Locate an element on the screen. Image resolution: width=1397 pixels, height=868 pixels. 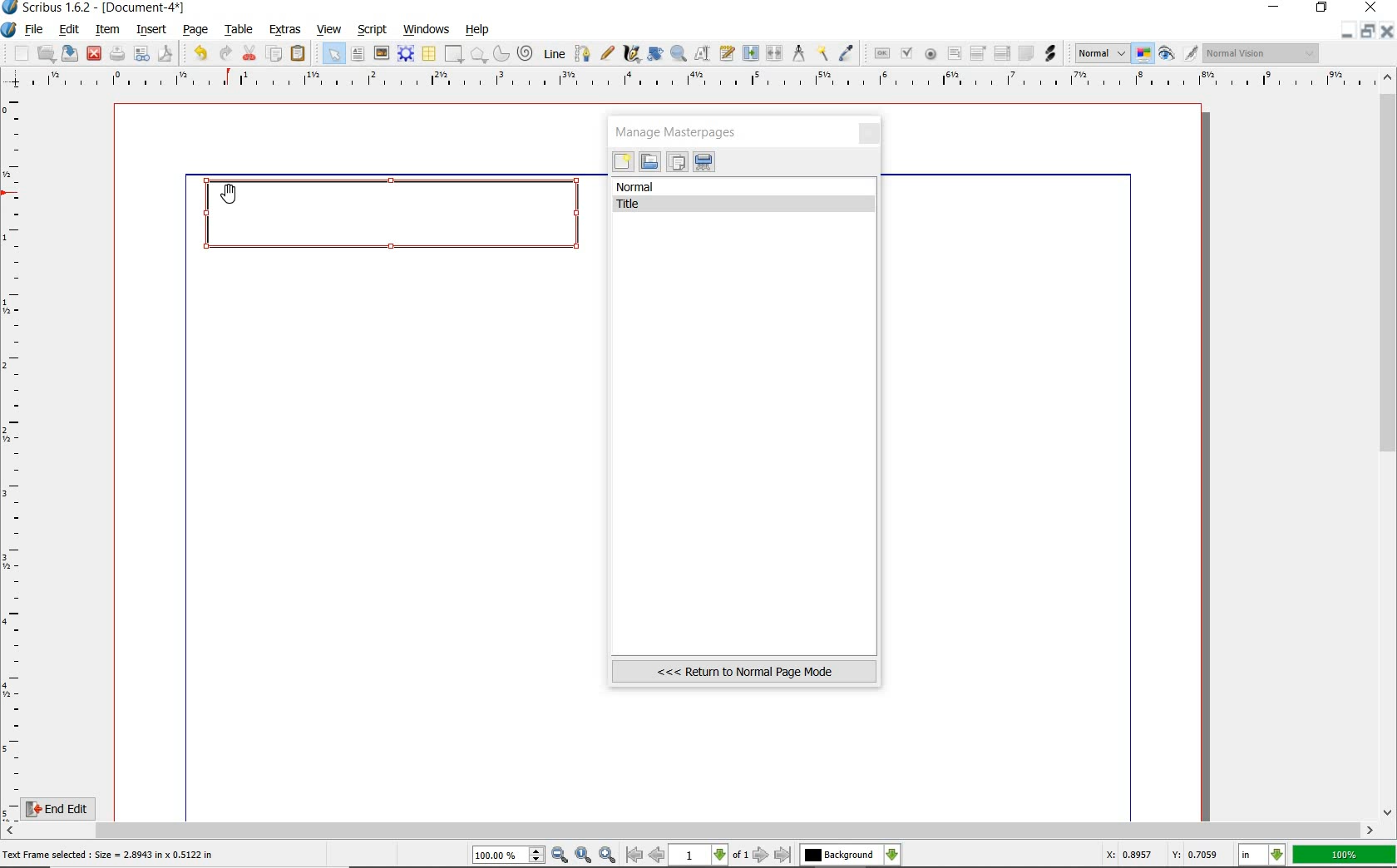
close is located at coordinates (1389, 31).